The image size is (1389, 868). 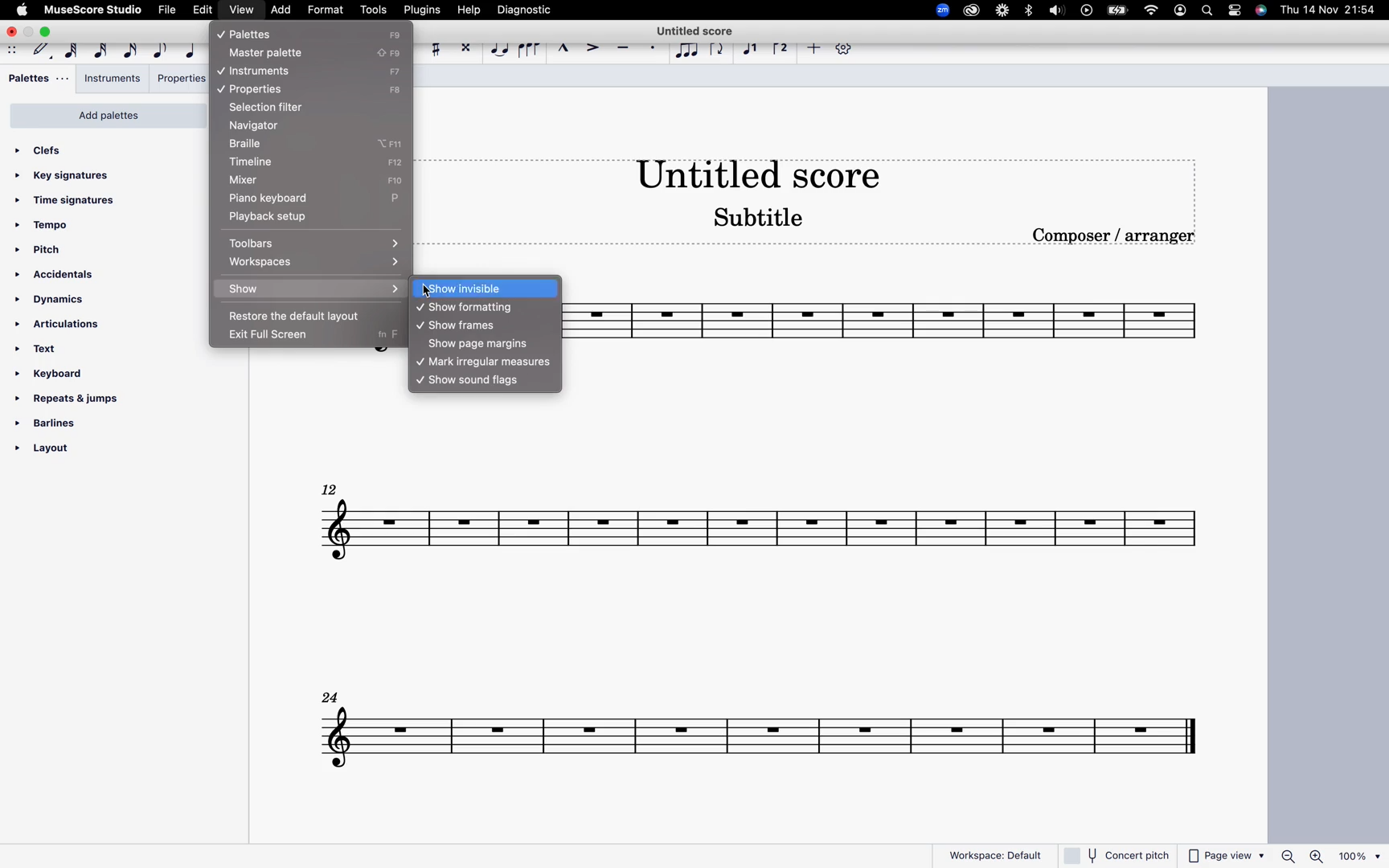 I want to click on maximize, so click(x=47, y=32).